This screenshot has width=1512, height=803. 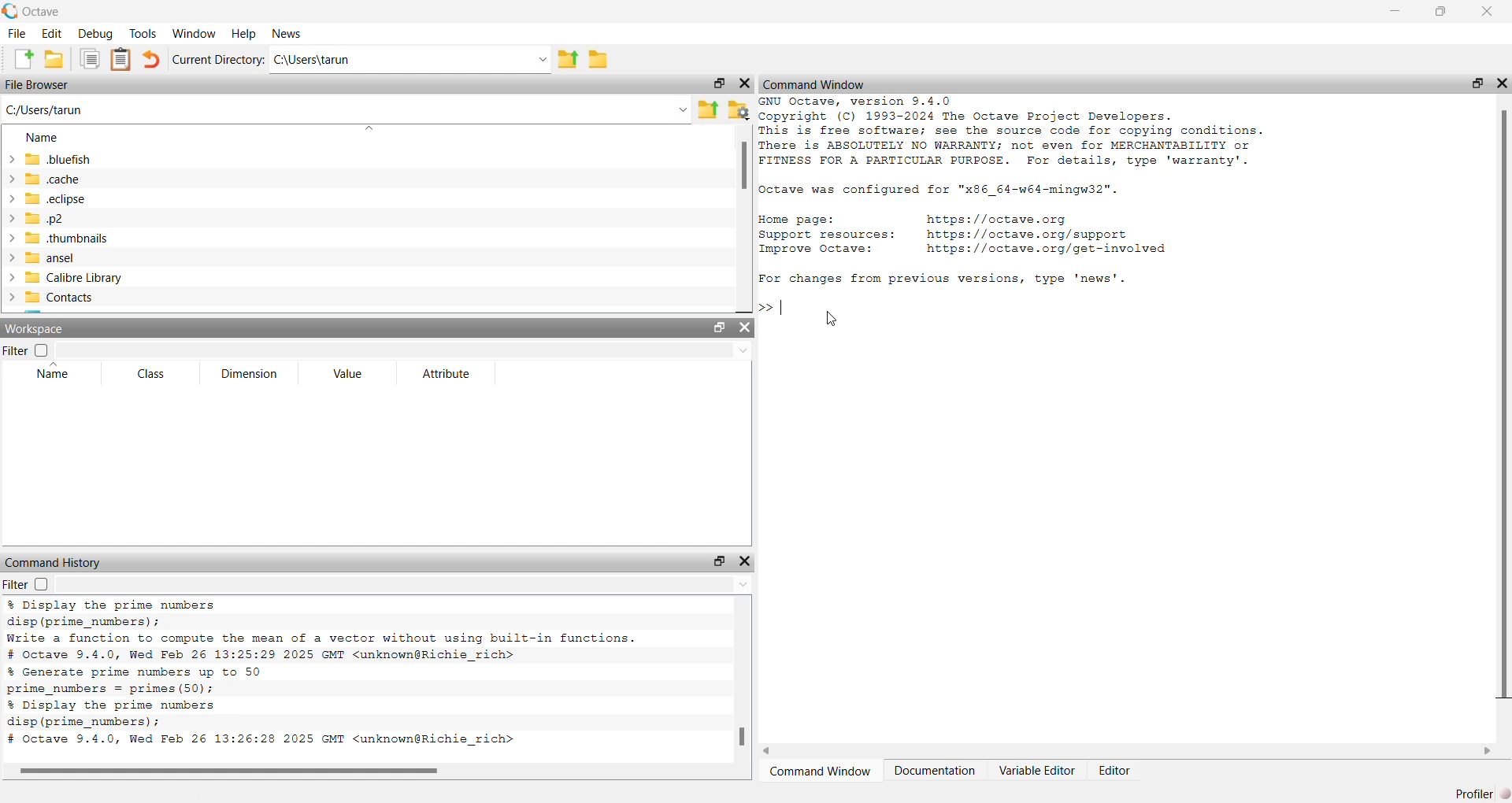 I want to click on typing indicator, so click(x=783, y=307).